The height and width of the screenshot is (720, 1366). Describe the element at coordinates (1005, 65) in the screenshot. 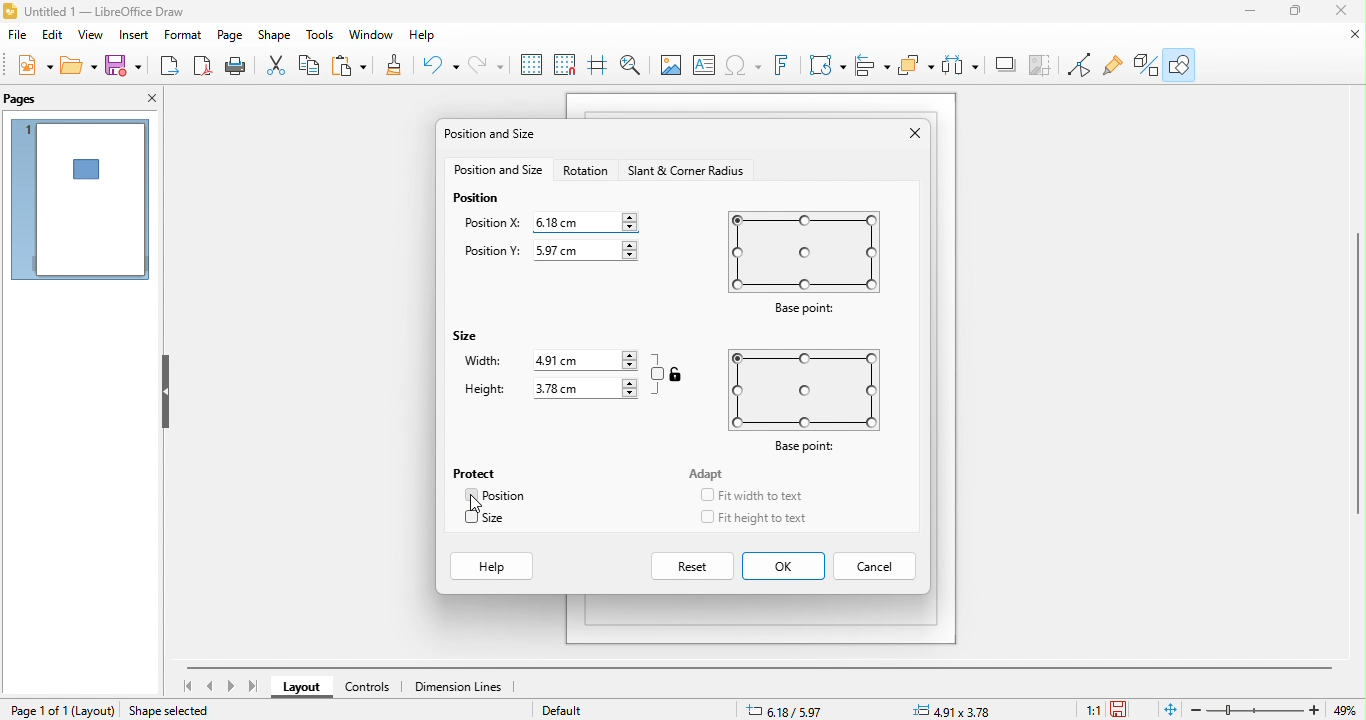

I see `crop image` at that location.